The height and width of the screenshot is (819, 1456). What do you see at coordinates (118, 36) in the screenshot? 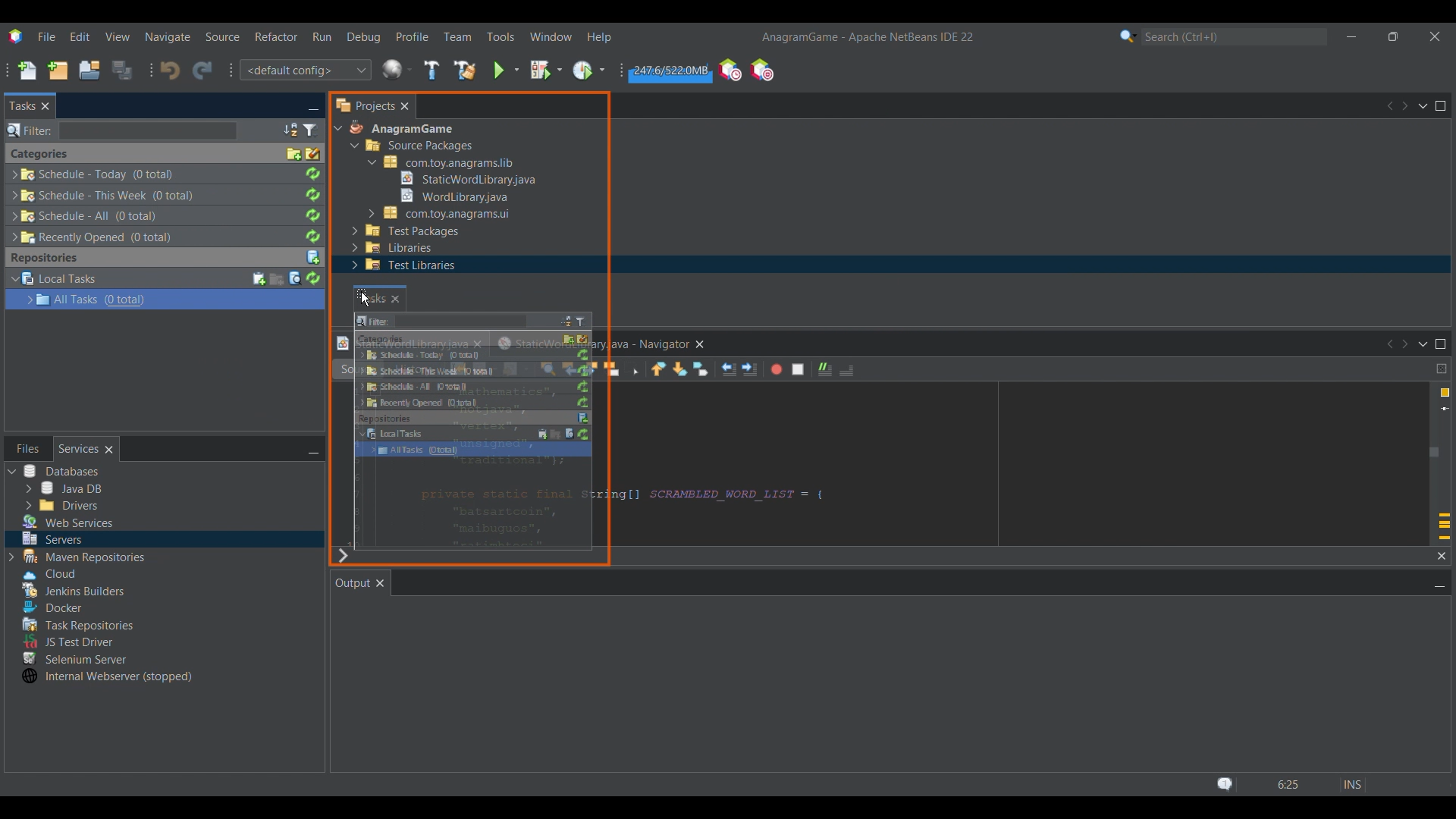
I see `View menu` at bounding box center [118, 36].